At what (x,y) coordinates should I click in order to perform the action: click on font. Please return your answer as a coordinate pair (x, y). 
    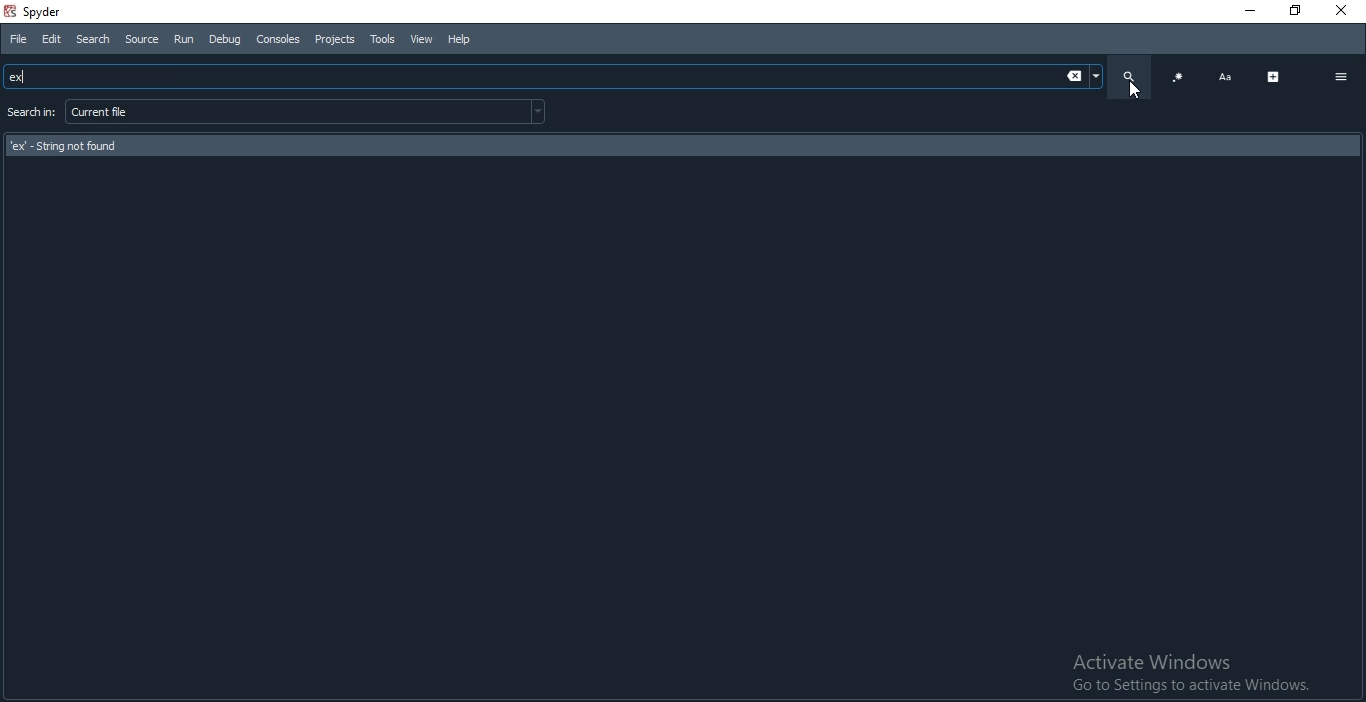
    Looking at the image, I should click on (1224, 77).